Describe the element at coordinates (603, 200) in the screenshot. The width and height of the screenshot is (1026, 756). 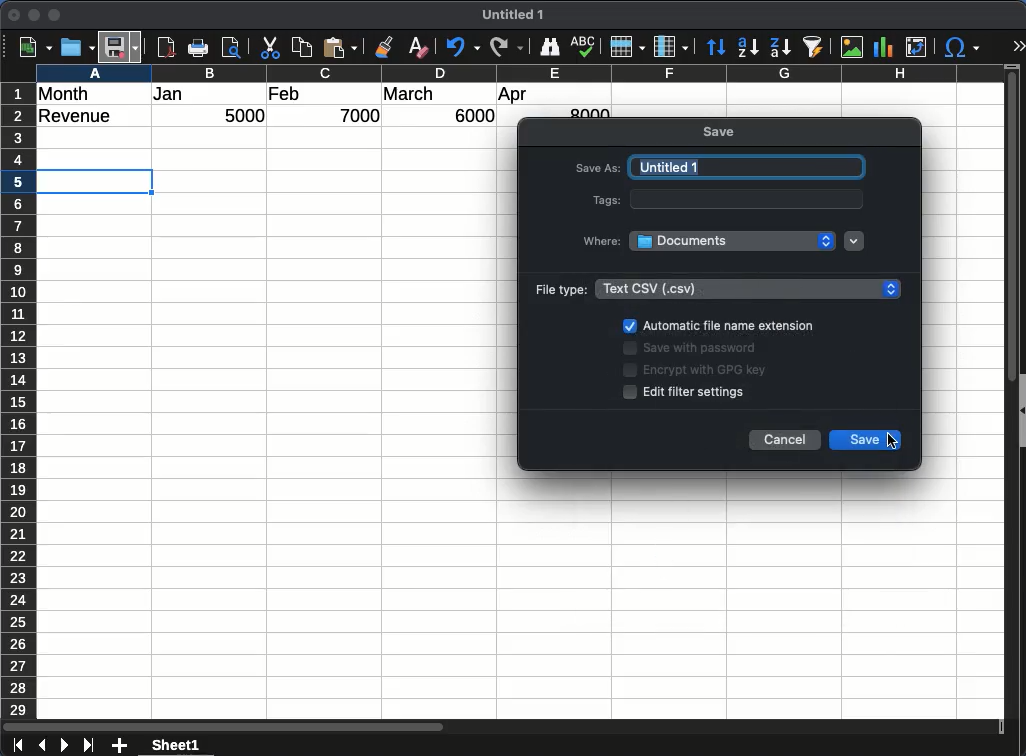
I see `tags` at that location.